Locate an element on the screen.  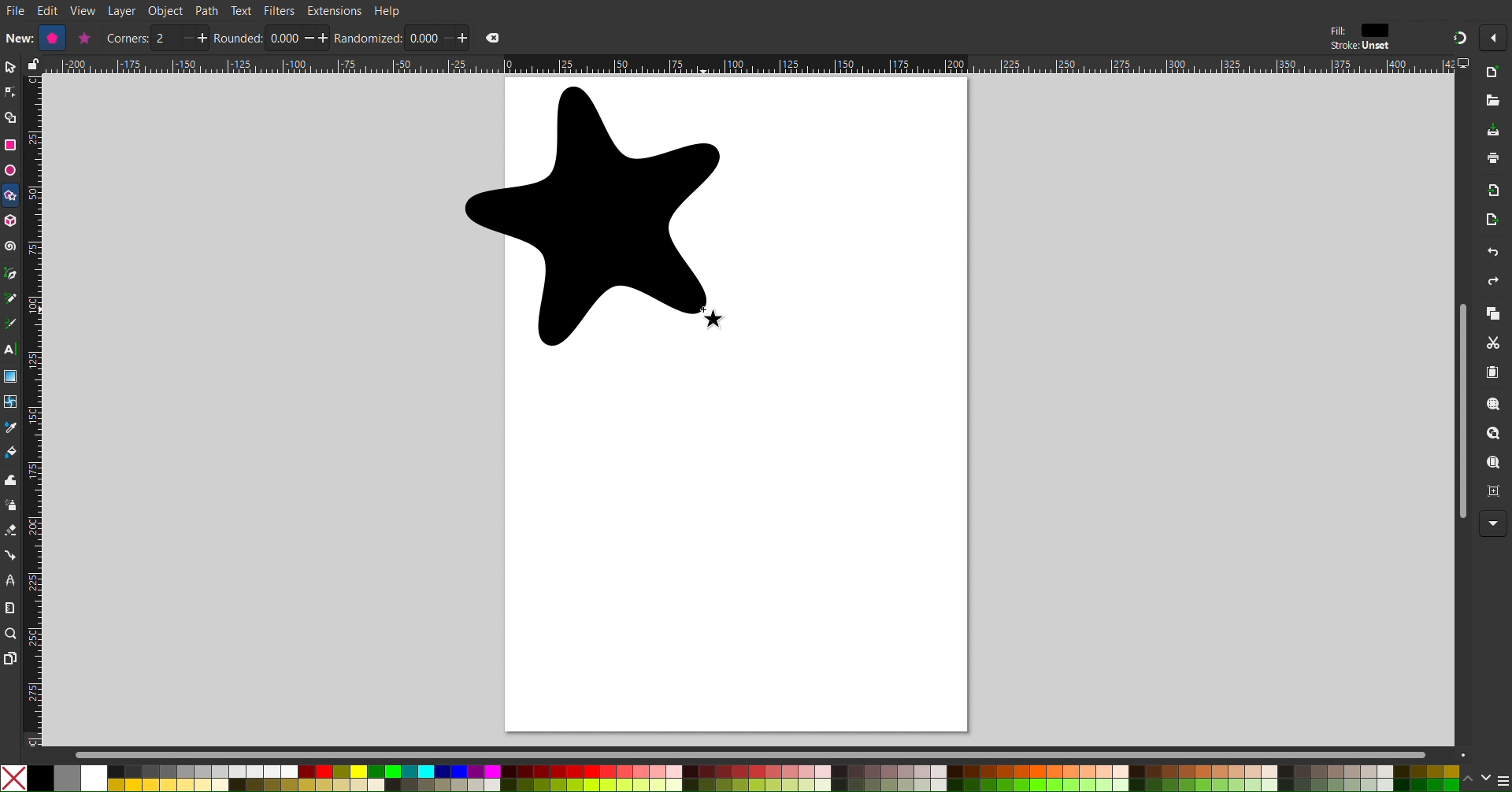
Node Tool is located at coordinates (10, 93).